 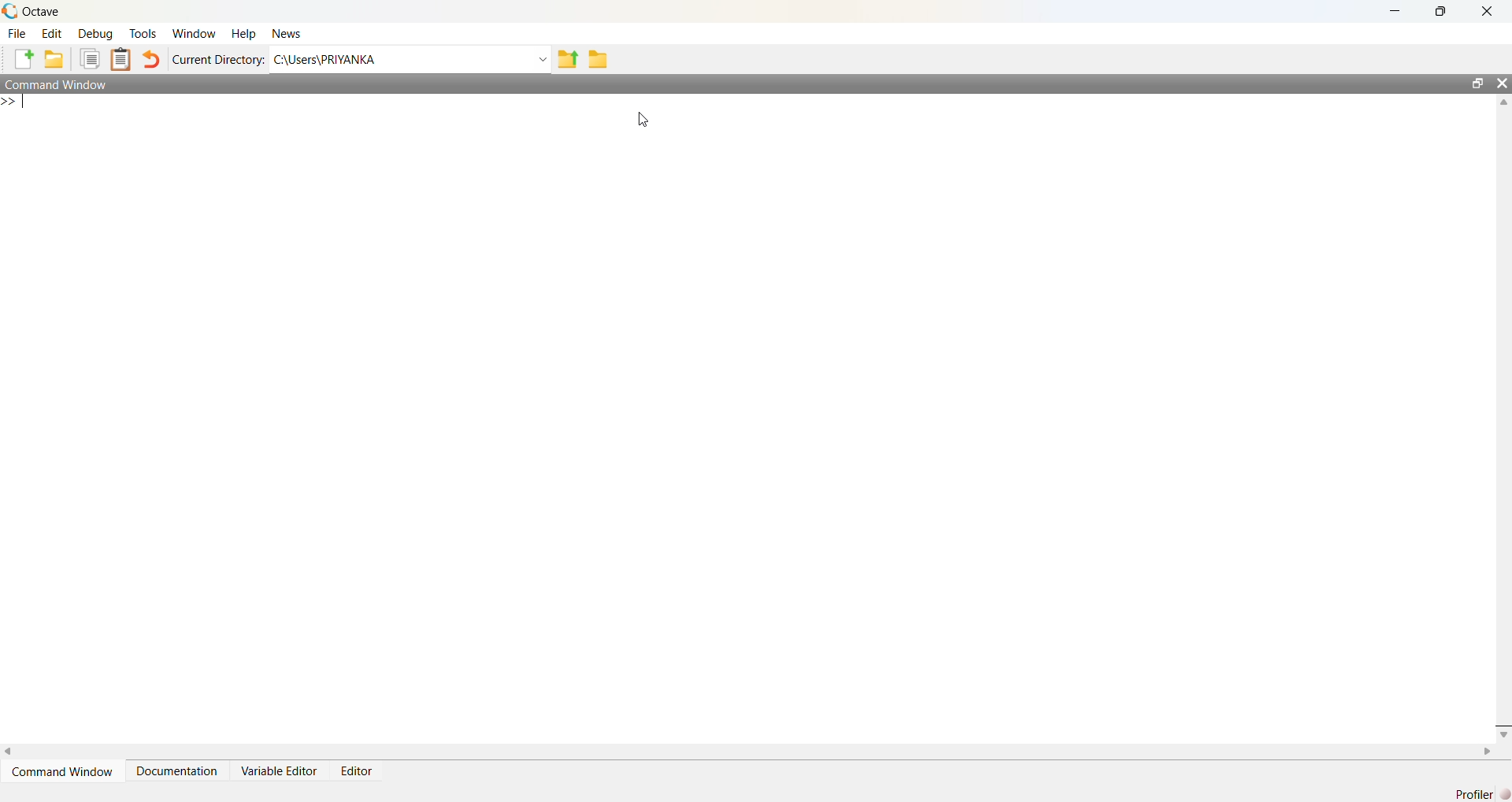 What do you see at coordinates (58, 84) in the screenshot?
I see `Command Window` at bounding box center [58, 84].